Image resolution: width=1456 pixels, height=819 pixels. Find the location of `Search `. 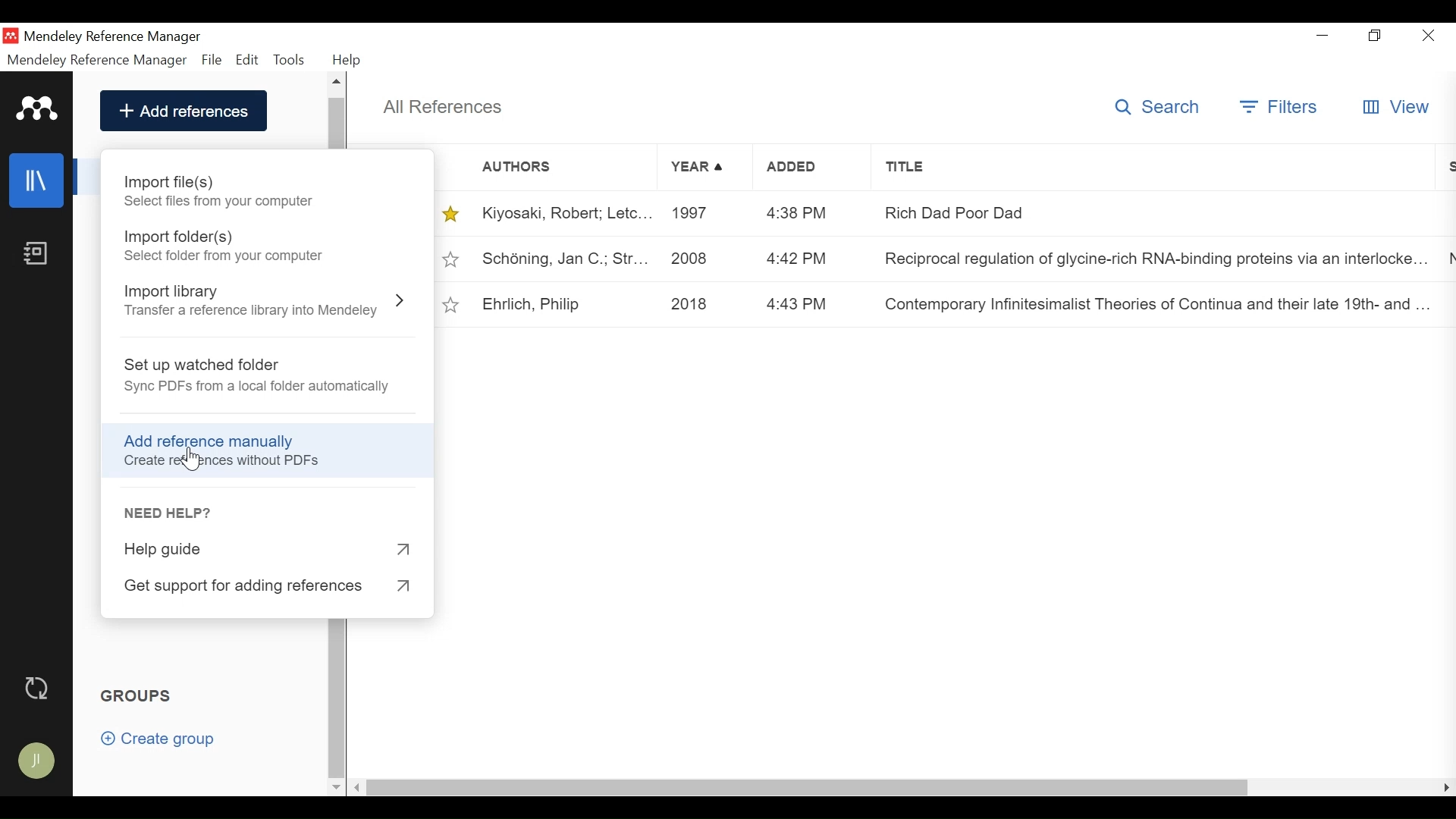

Search  is located at coordinates (1159, 107).